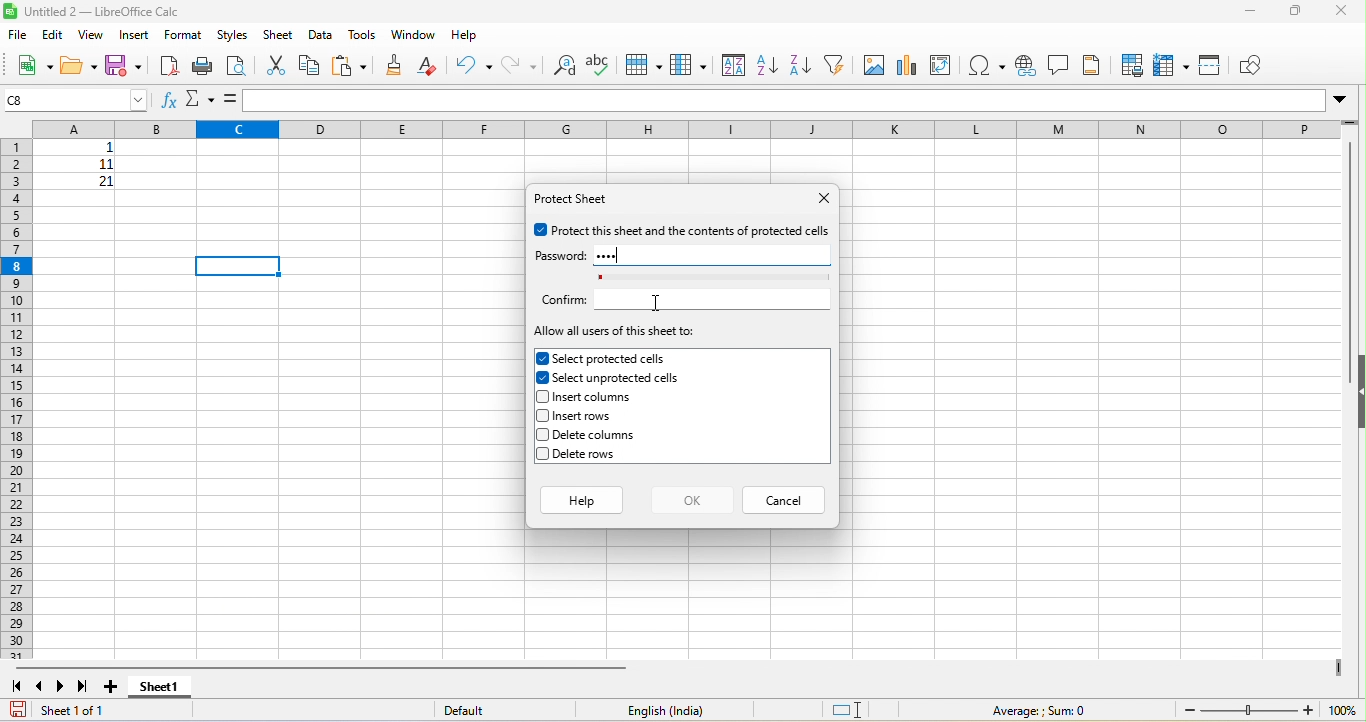 This screenshot has width=1366, height=722. What do you see at coordinates (238, 265) in the screenshot?
I see `selected cell` at bounding box center [238, 265].